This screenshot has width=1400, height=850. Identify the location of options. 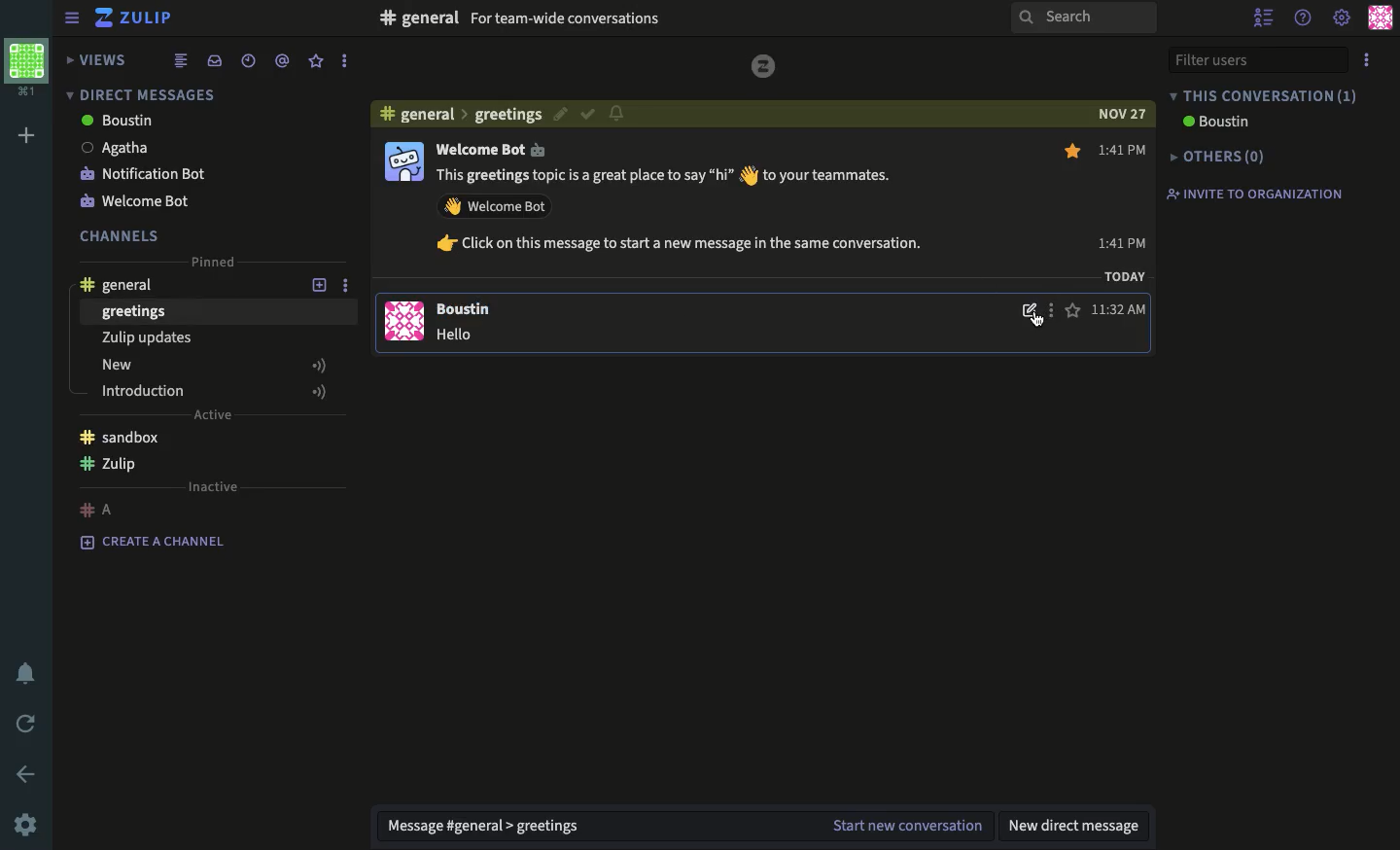
(345, 61).